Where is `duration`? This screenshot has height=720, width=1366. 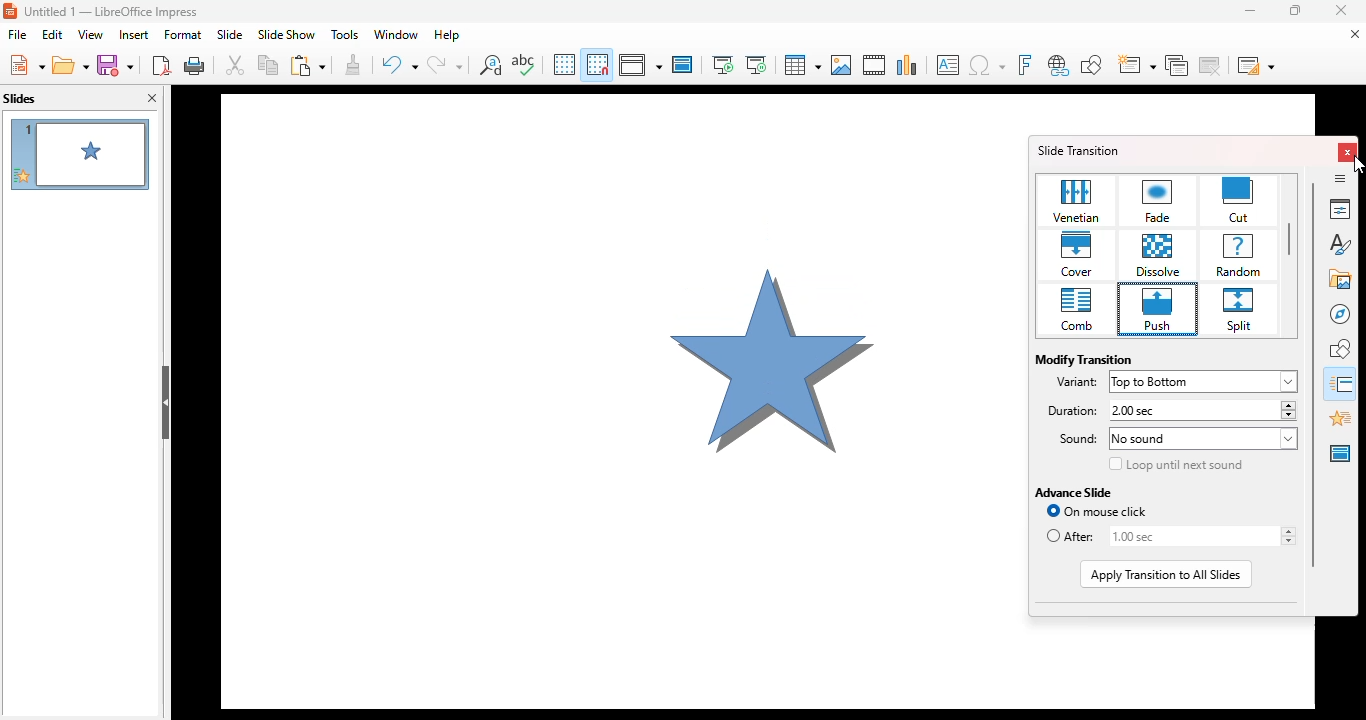
duration is located at coordinates (1067, 410).